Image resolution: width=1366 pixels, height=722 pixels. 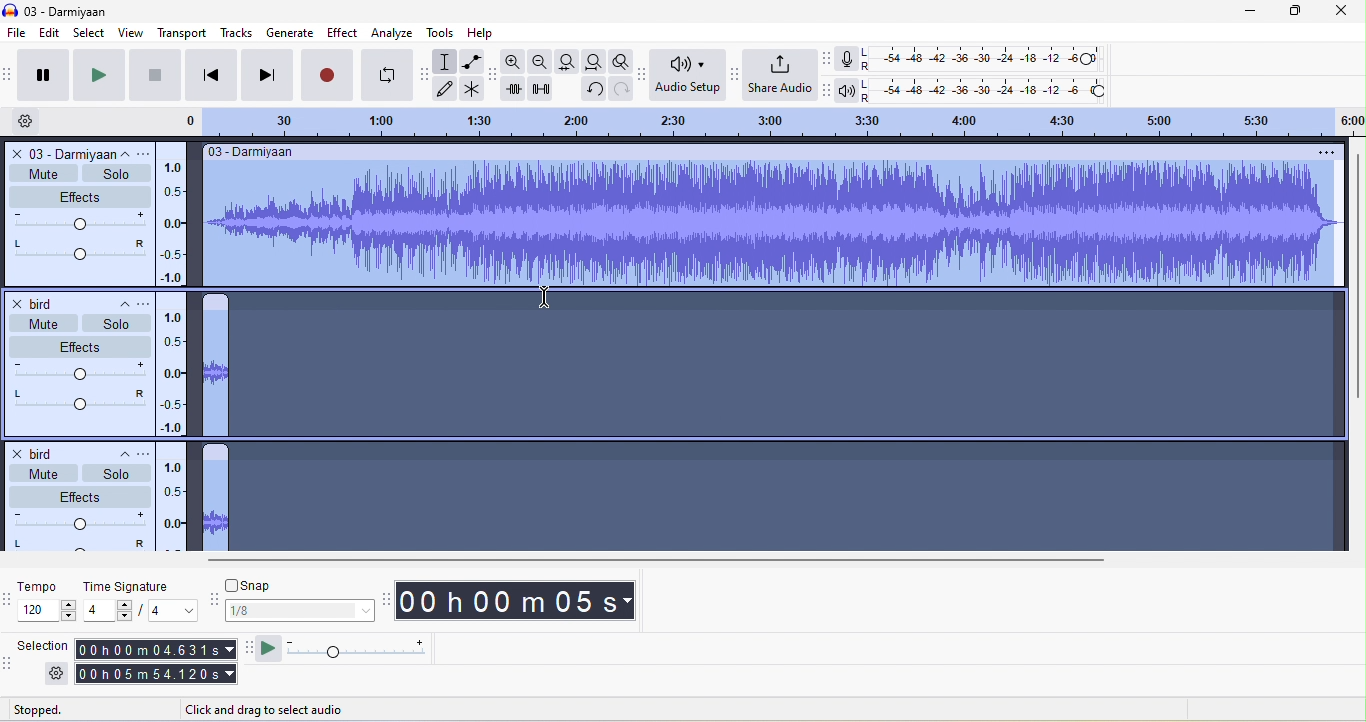 What do you see at coordinates (150, 450) in the screenshot?
I see `open menu` at bounding box center [150, 450].